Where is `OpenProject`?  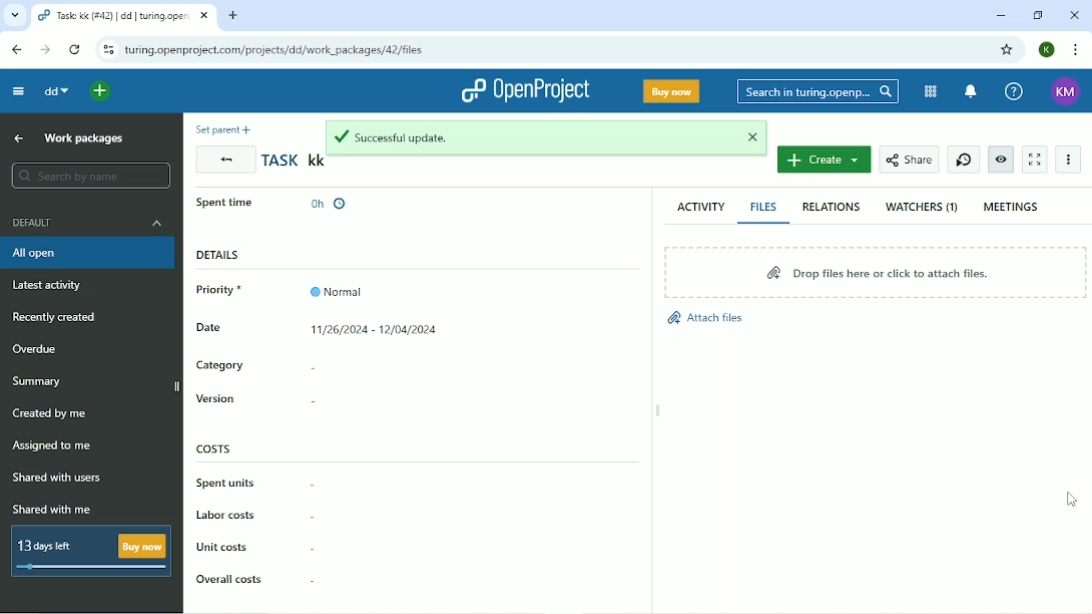
OpenProject is located at coordinates (524, 91).